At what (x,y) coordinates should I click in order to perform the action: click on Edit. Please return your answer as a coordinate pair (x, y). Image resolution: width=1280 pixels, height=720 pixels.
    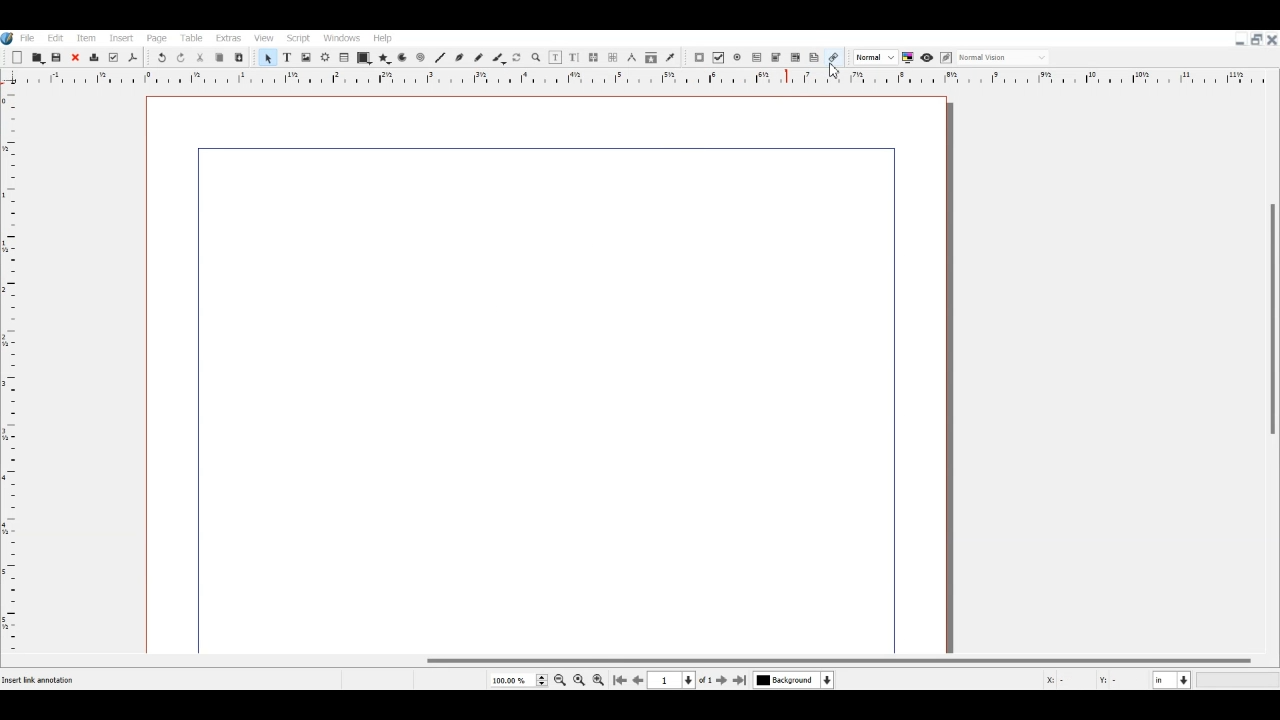
    Looking at the image, I should click on (54, 37).